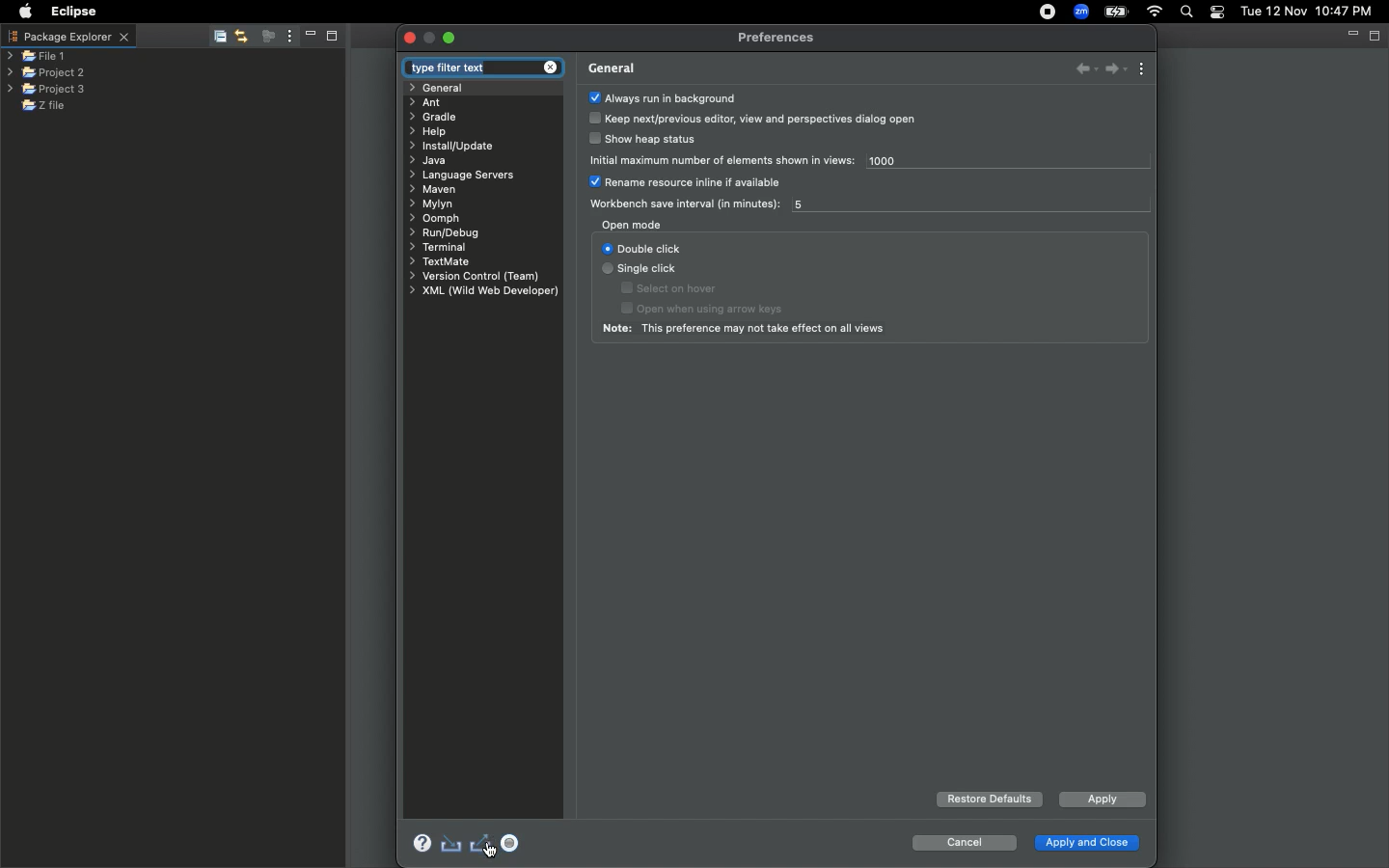  I want to click on View menu, so click(1144, 68).